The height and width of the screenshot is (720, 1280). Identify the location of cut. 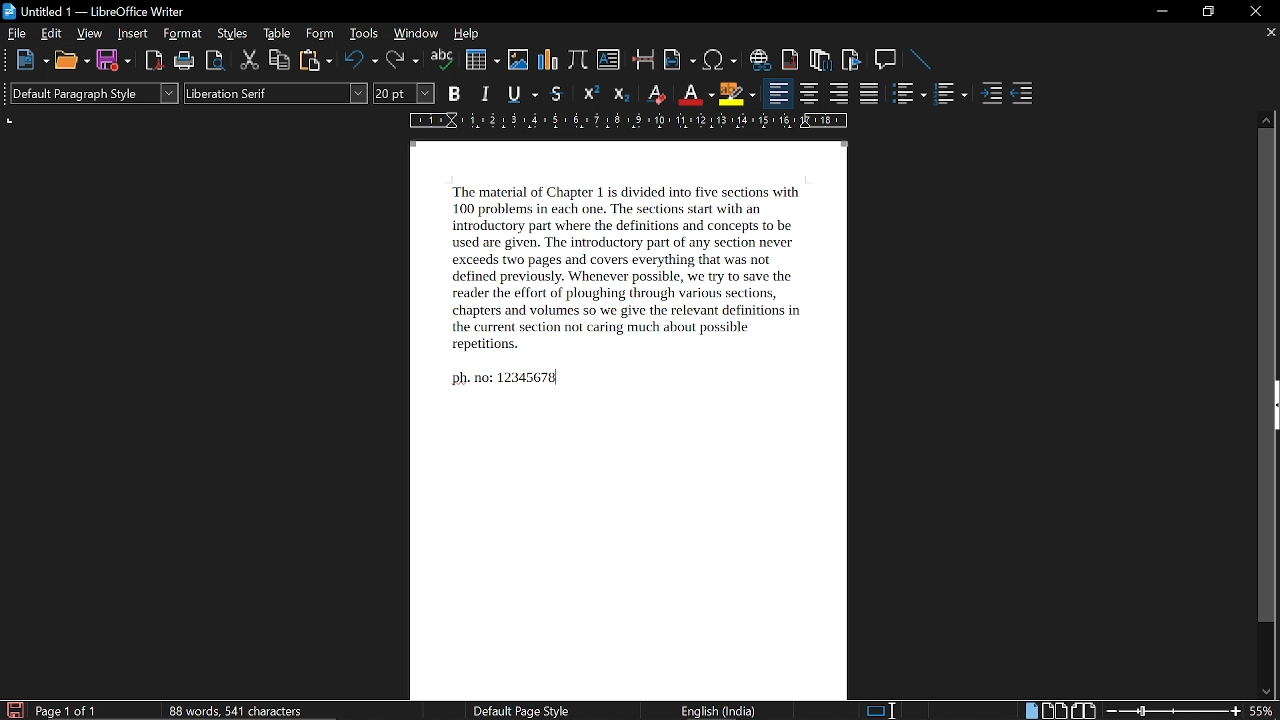
(250, 61).